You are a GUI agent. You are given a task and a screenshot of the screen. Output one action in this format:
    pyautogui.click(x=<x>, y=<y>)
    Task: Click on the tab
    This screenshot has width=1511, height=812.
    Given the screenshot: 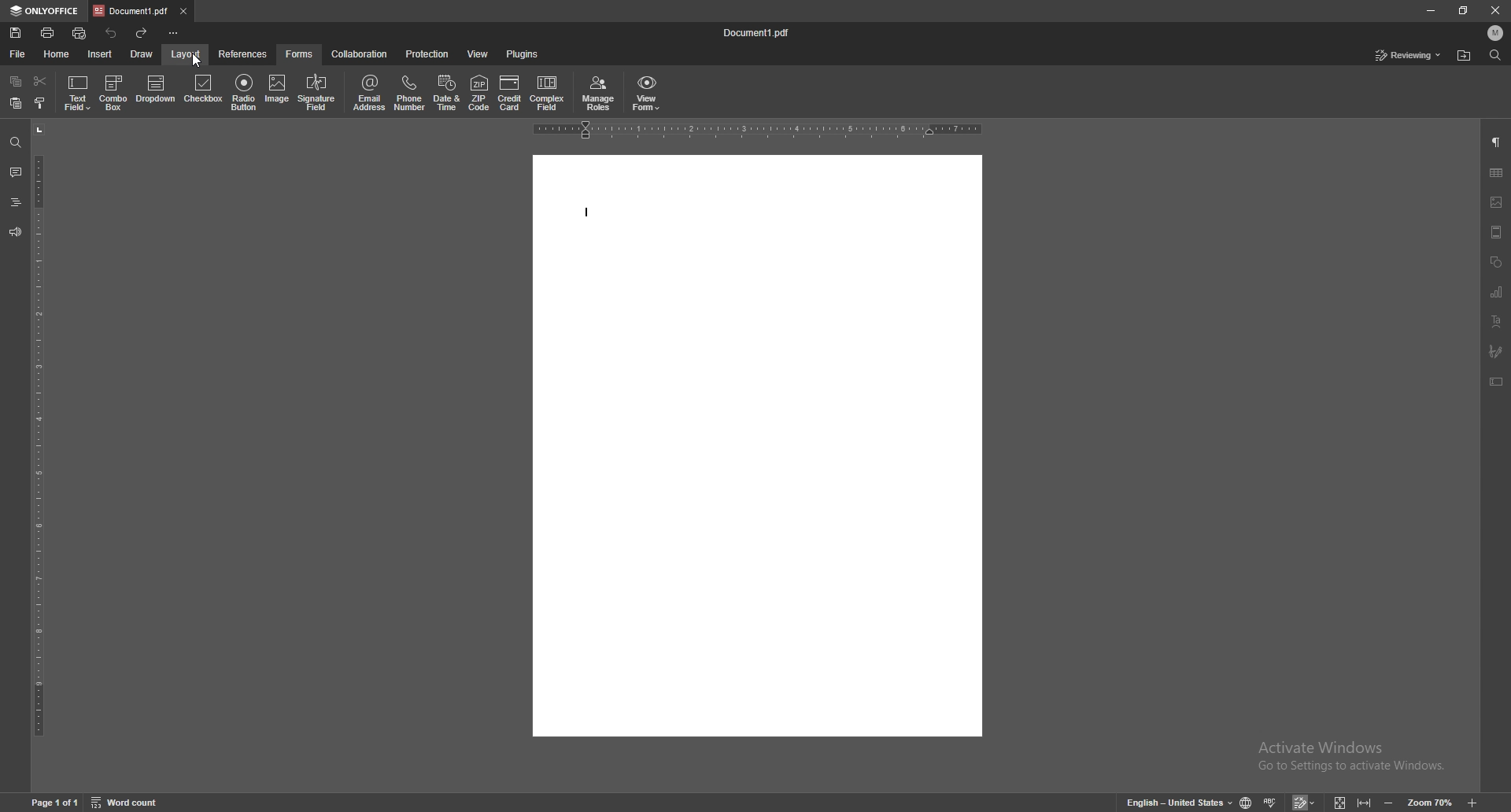 What is the action you would take?
    pyautogui.click(x=131, y=9)
    